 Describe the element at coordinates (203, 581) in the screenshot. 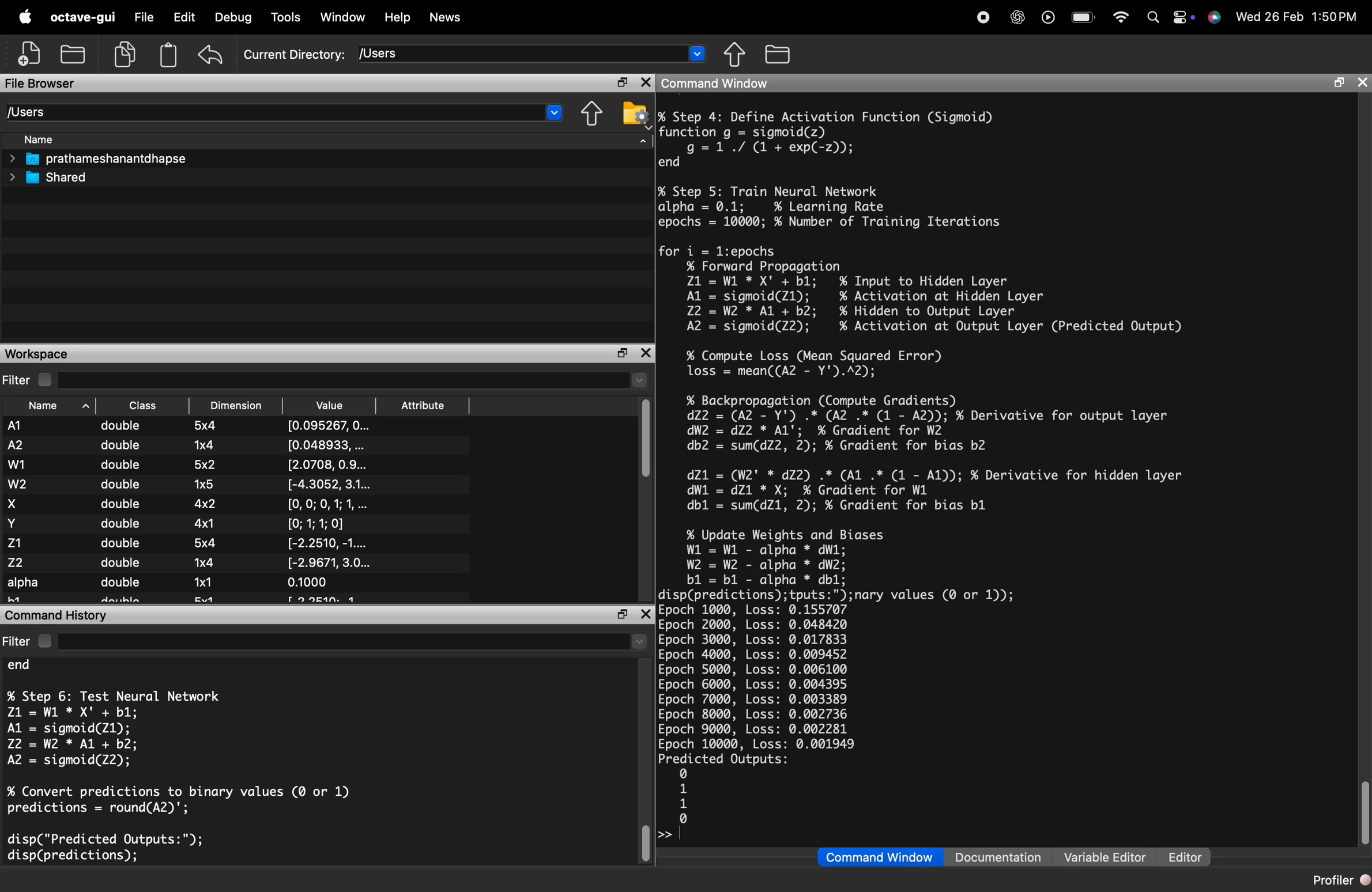

I see `1x1` at that location.